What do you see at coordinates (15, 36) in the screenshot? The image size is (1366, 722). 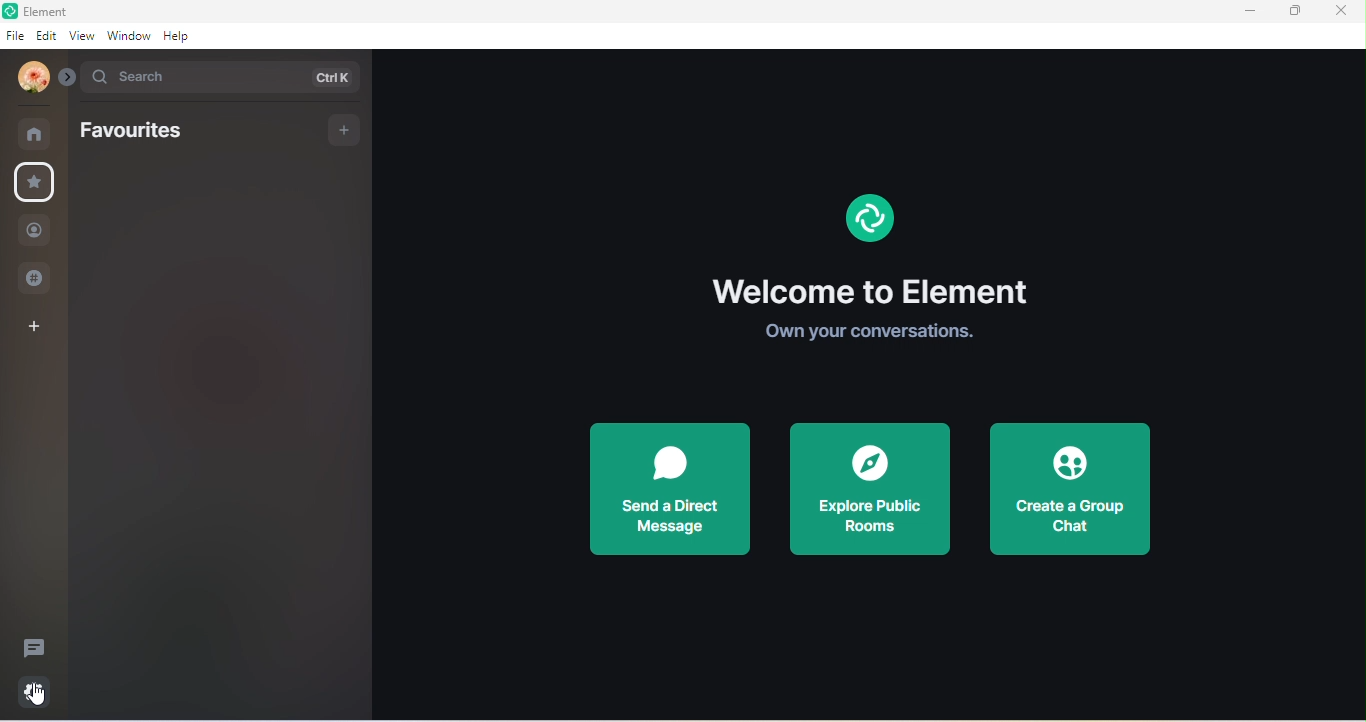 I see `file` at bounding box center [15, 36].